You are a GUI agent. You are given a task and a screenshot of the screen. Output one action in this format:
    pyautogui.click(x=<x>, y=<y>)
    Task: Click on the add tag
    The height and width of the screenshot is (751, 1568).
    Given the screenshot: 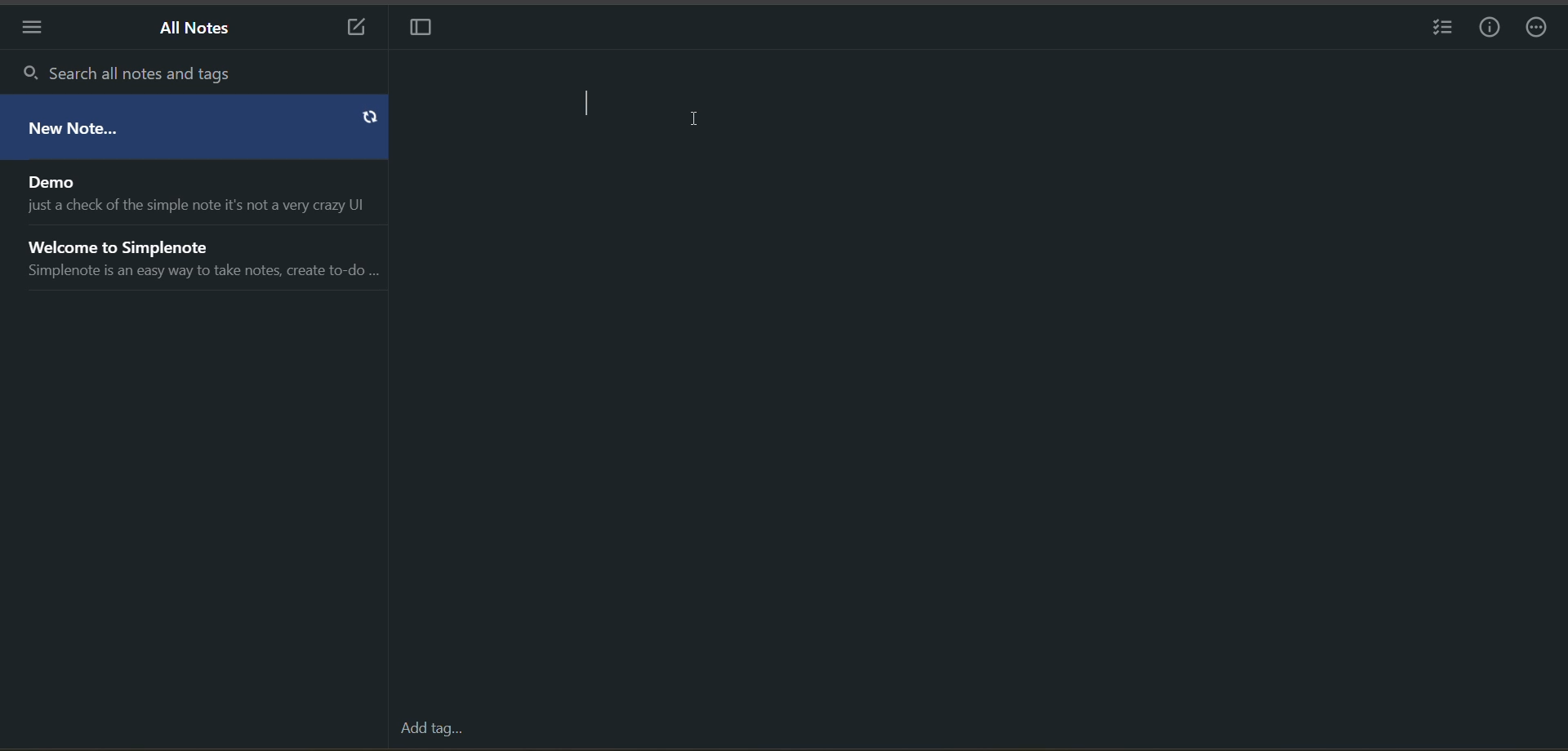 What is the action you would take?
    pyautogui.click(x=431, y=728)
    